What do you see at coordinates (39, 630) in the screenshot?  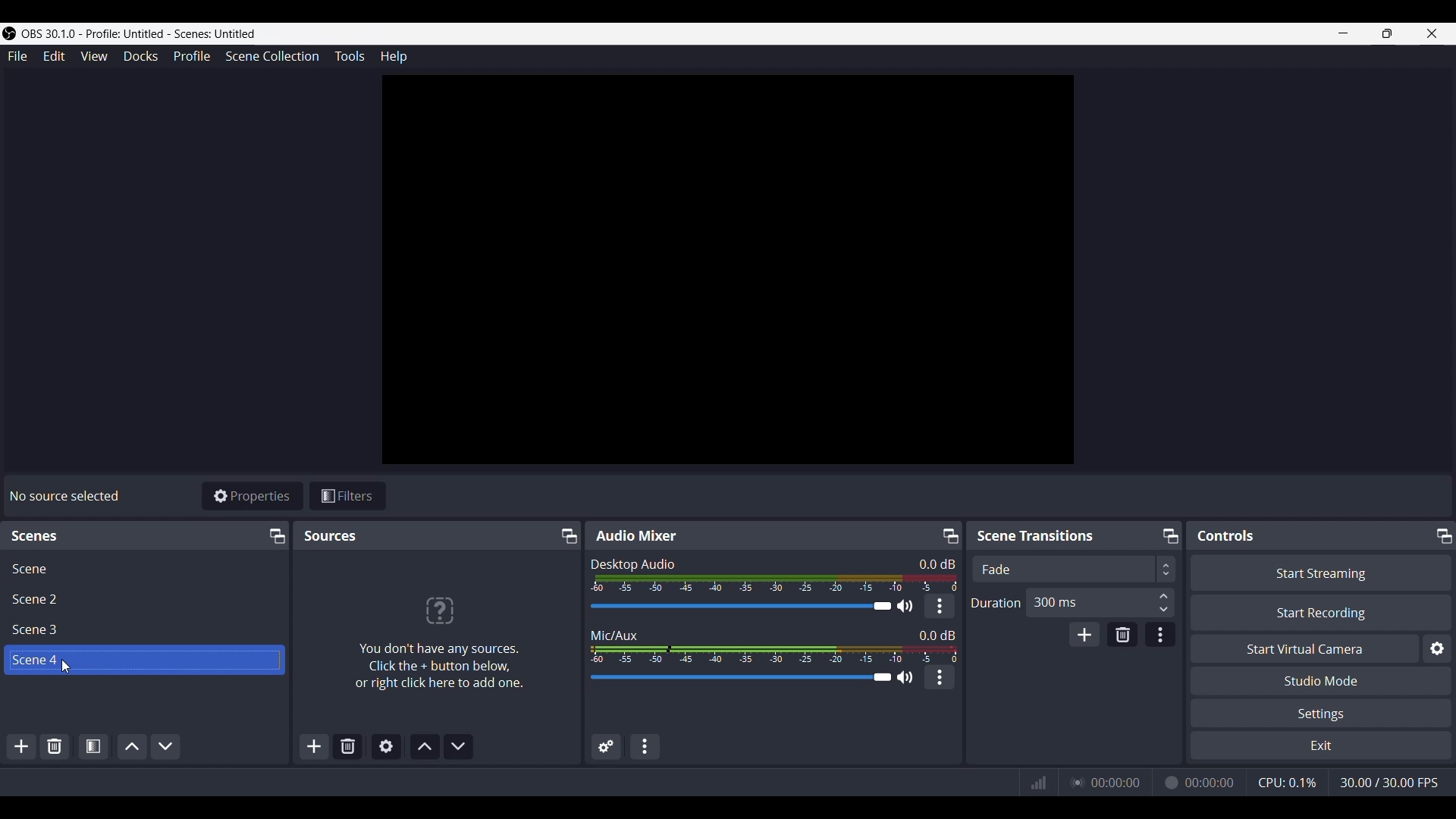 I see `Scene 3` at bounding box center [39, 630].